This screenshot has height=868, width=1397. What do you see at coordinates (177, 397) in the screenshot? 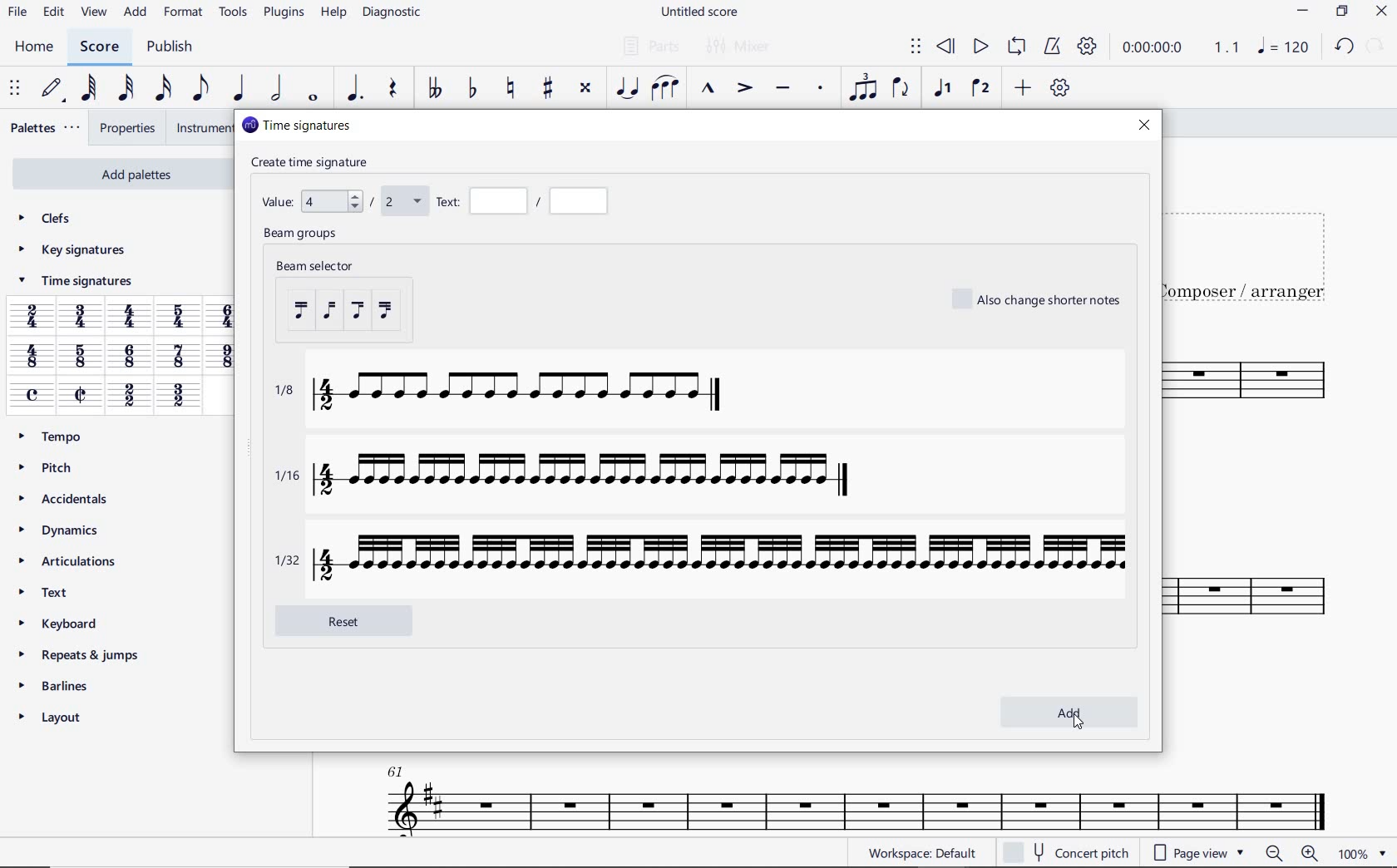
I see `3/2` at bounding box center [177, 397].